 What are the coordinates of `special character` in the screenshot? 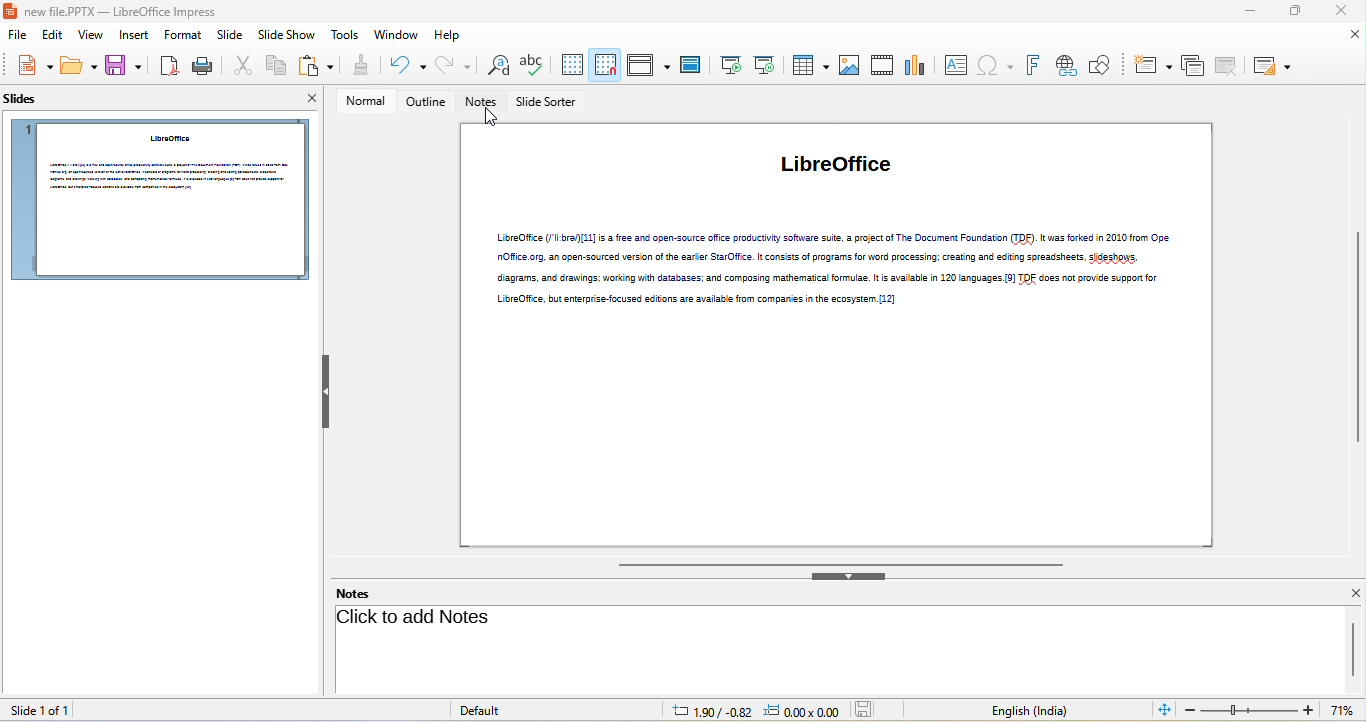 It's located at (995, 66).